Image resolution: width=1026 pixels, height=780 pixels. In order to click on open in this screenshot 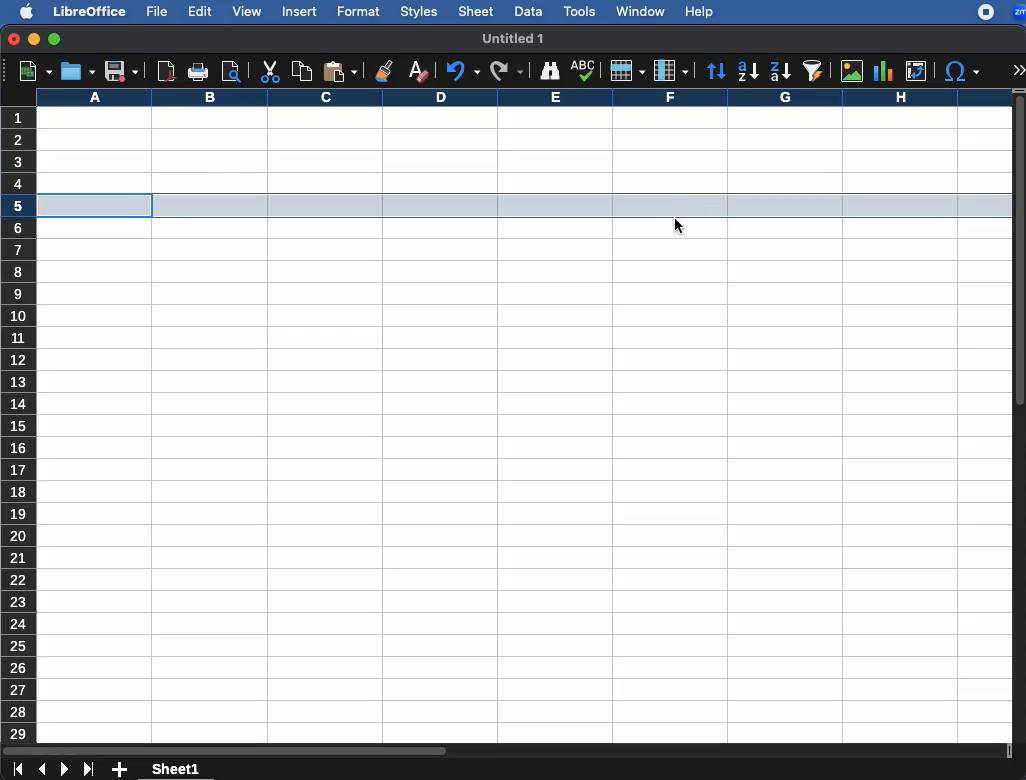, I will do `click(77, 71)`.